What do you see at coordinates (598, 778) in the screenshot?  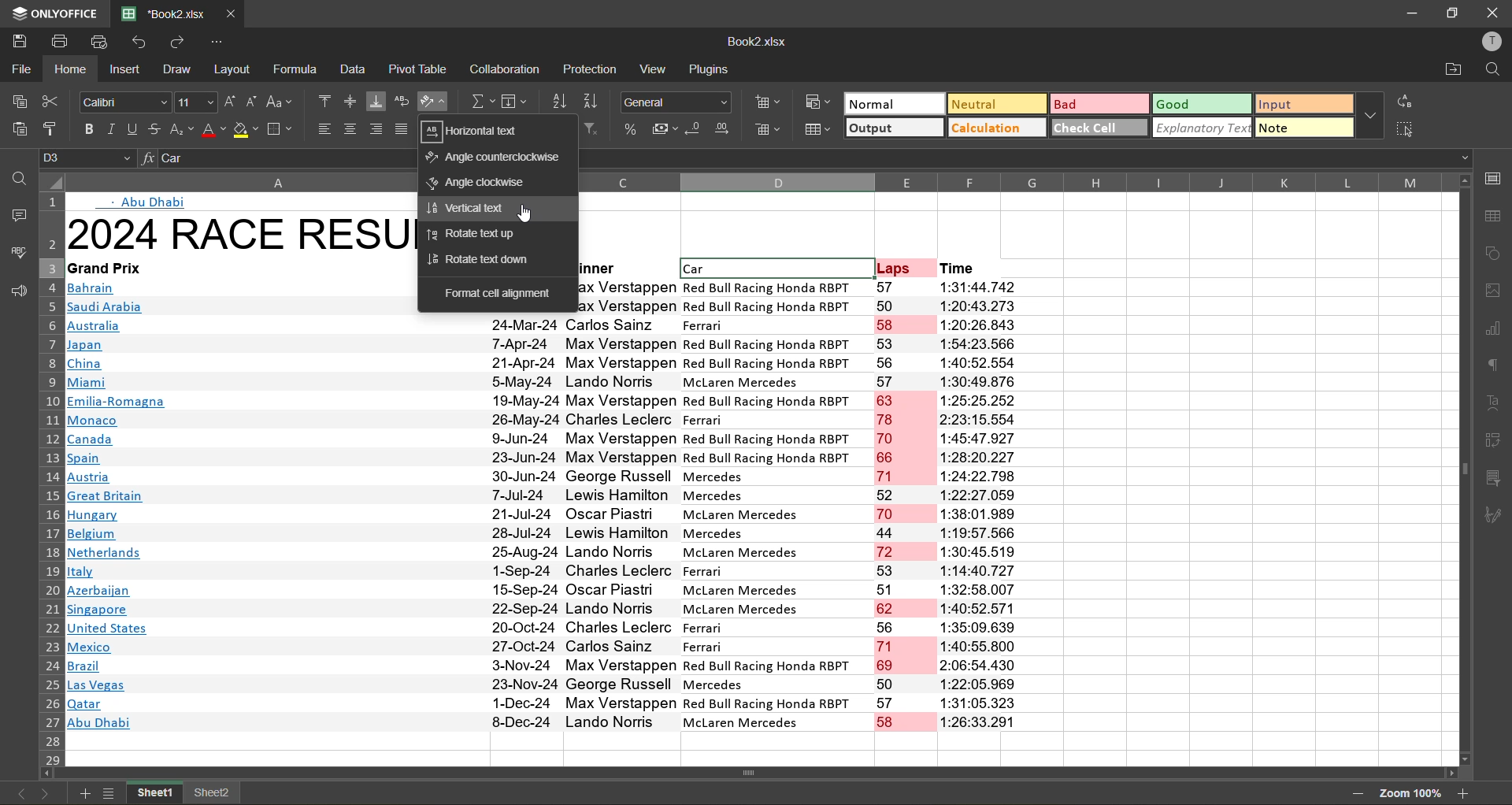 I see `Scrollbar` at bounding box center [598, 778].